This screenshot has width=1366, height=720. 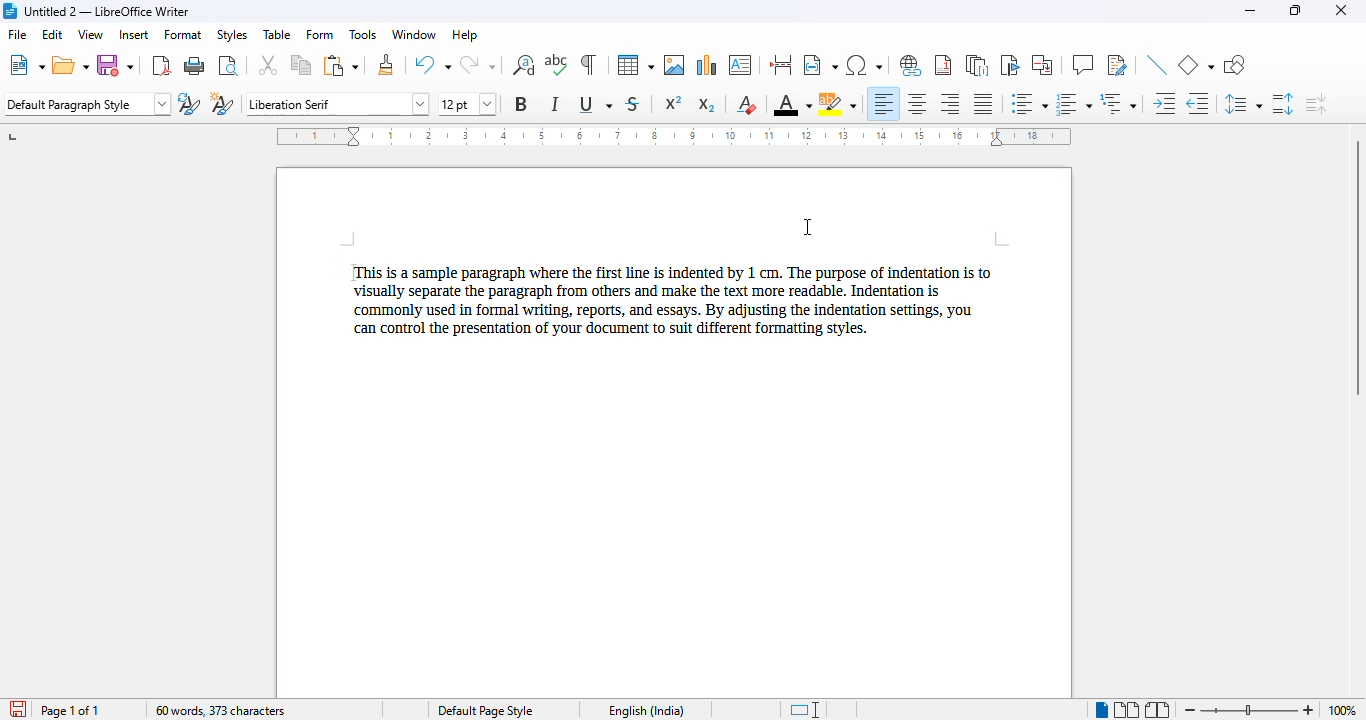 What do you see at coordinates (362, 34) in the screenshot?
I see `tools` at bounding box center [362, 34].